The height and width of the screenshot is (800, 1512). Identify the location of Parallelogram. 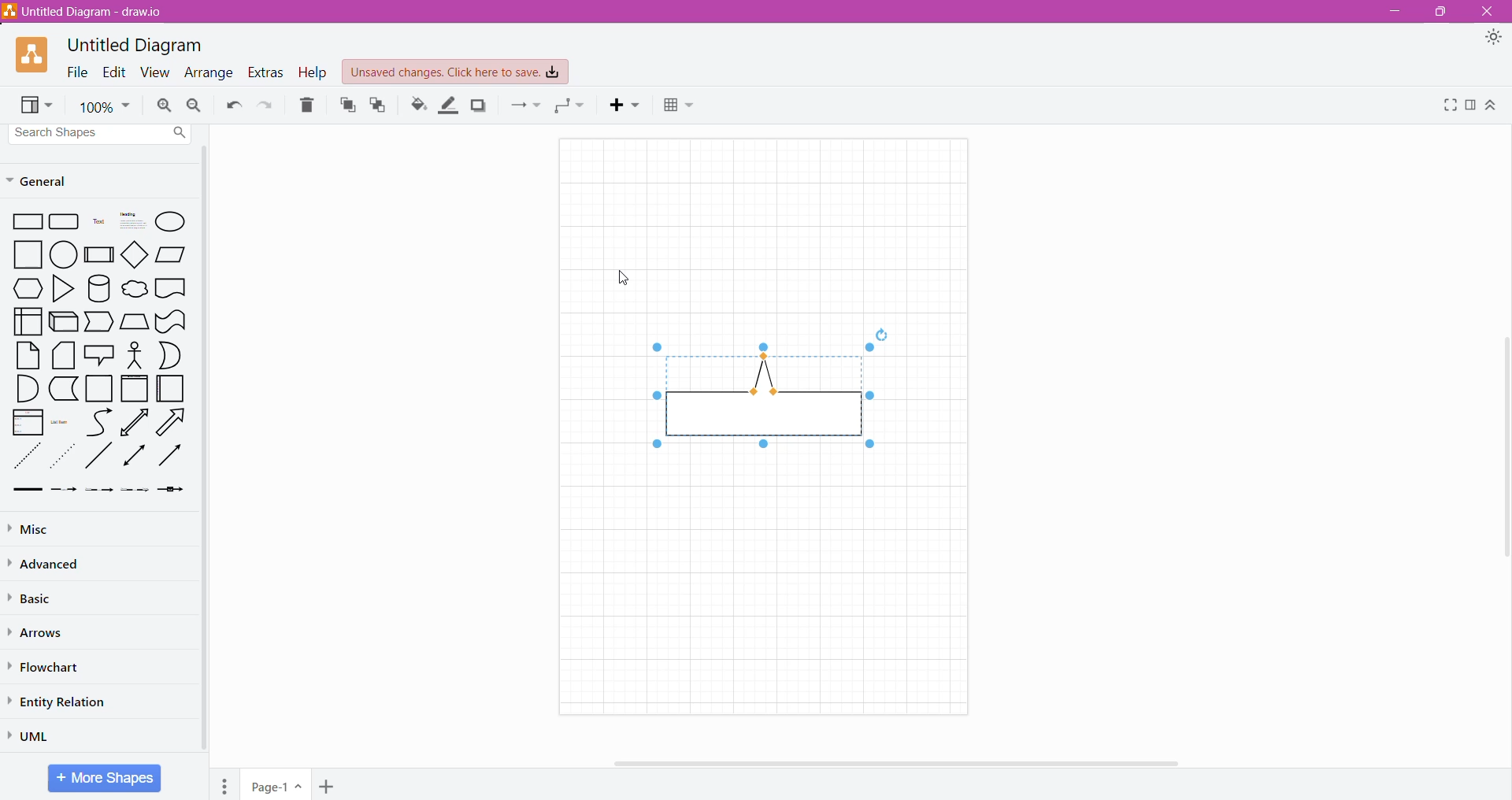
(171, 254).